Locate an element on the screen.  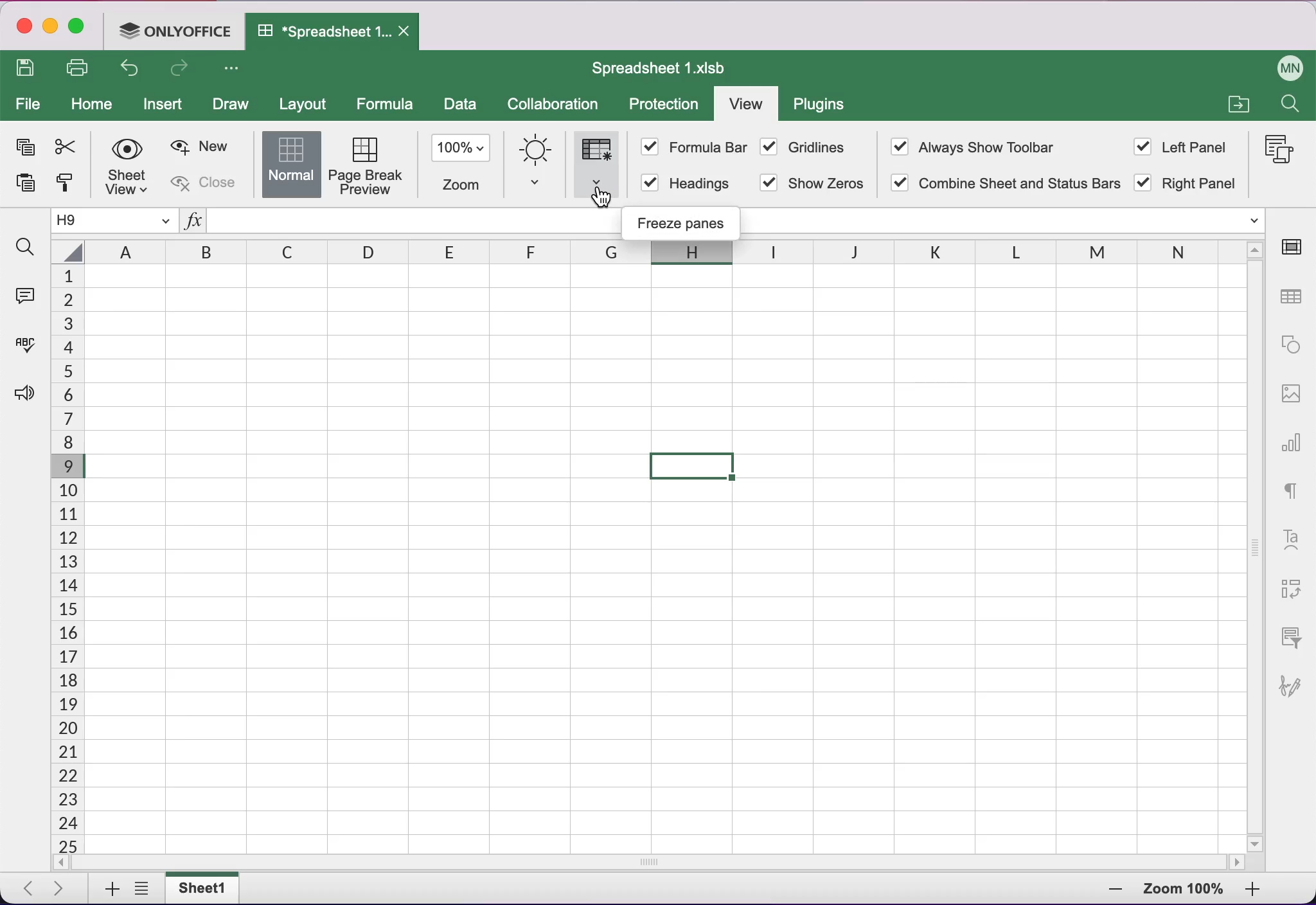
minimize is located at coordinates (51, 26).